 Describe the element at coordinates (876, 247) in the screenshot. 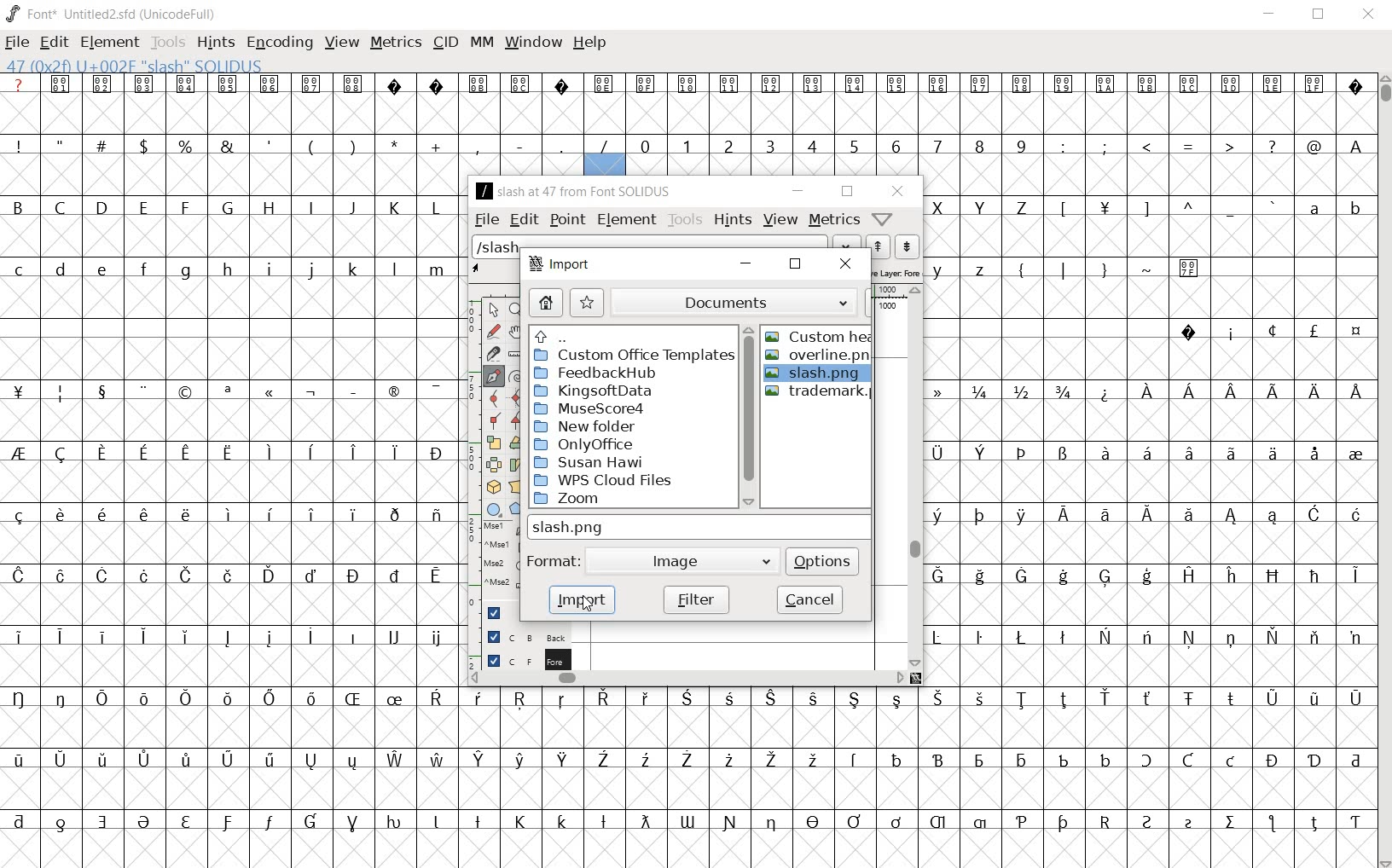

I see `show the next word on the list` at that location.